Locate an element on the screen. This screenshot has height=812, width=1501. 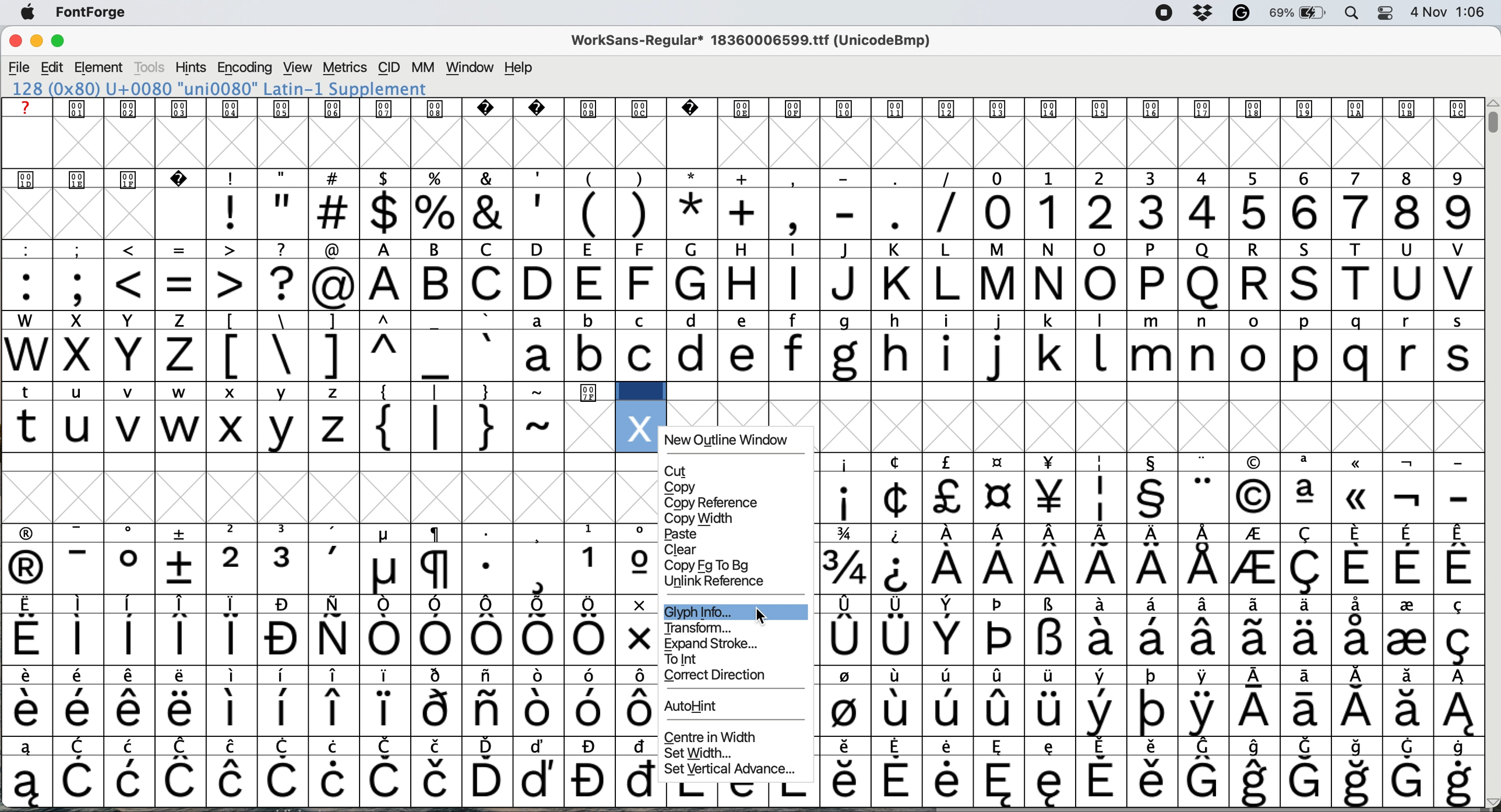
spotlight search is located at coordinates (1352, 14).